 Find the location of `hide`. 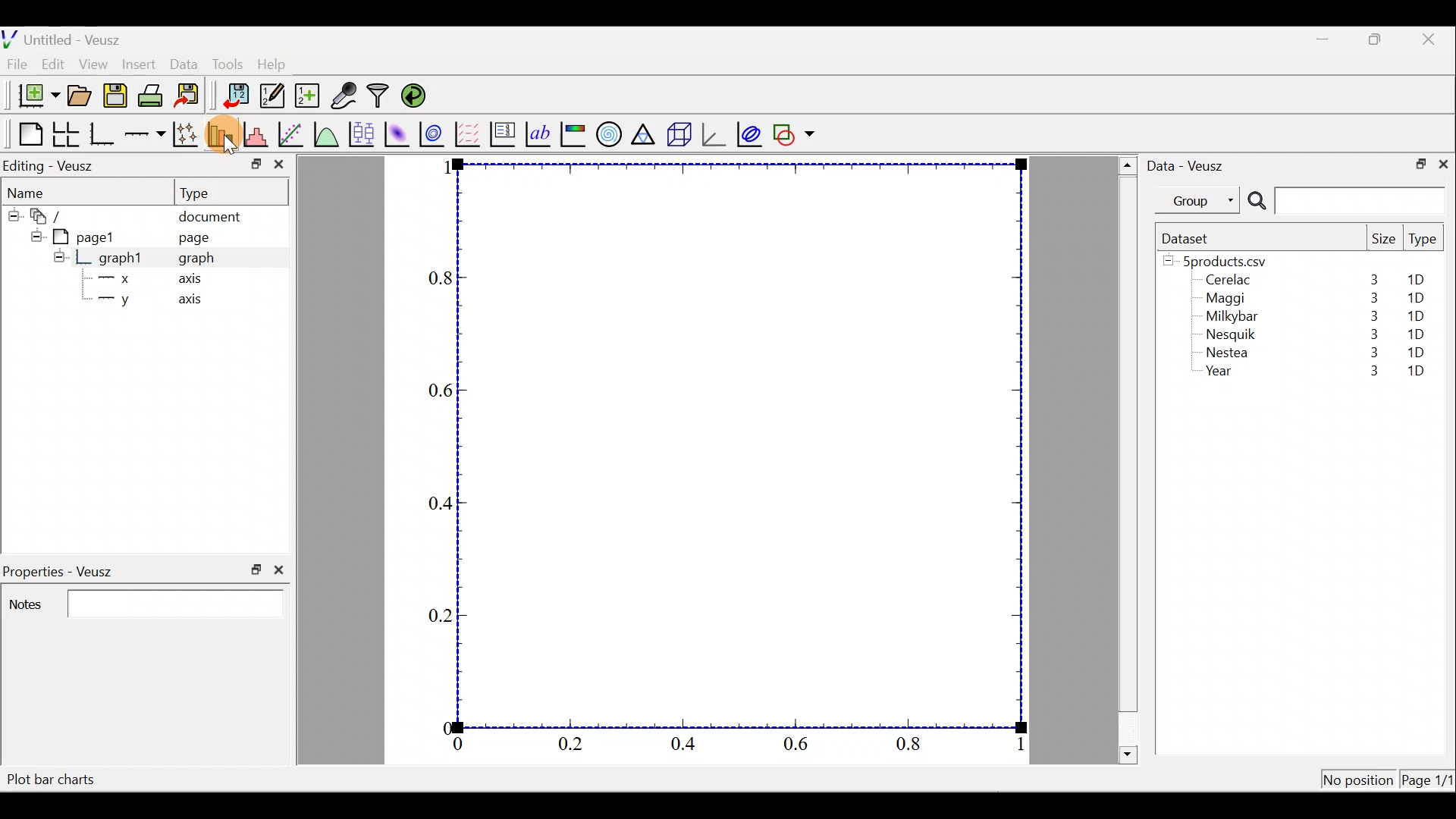

hide is located at coordinates (33, 234).